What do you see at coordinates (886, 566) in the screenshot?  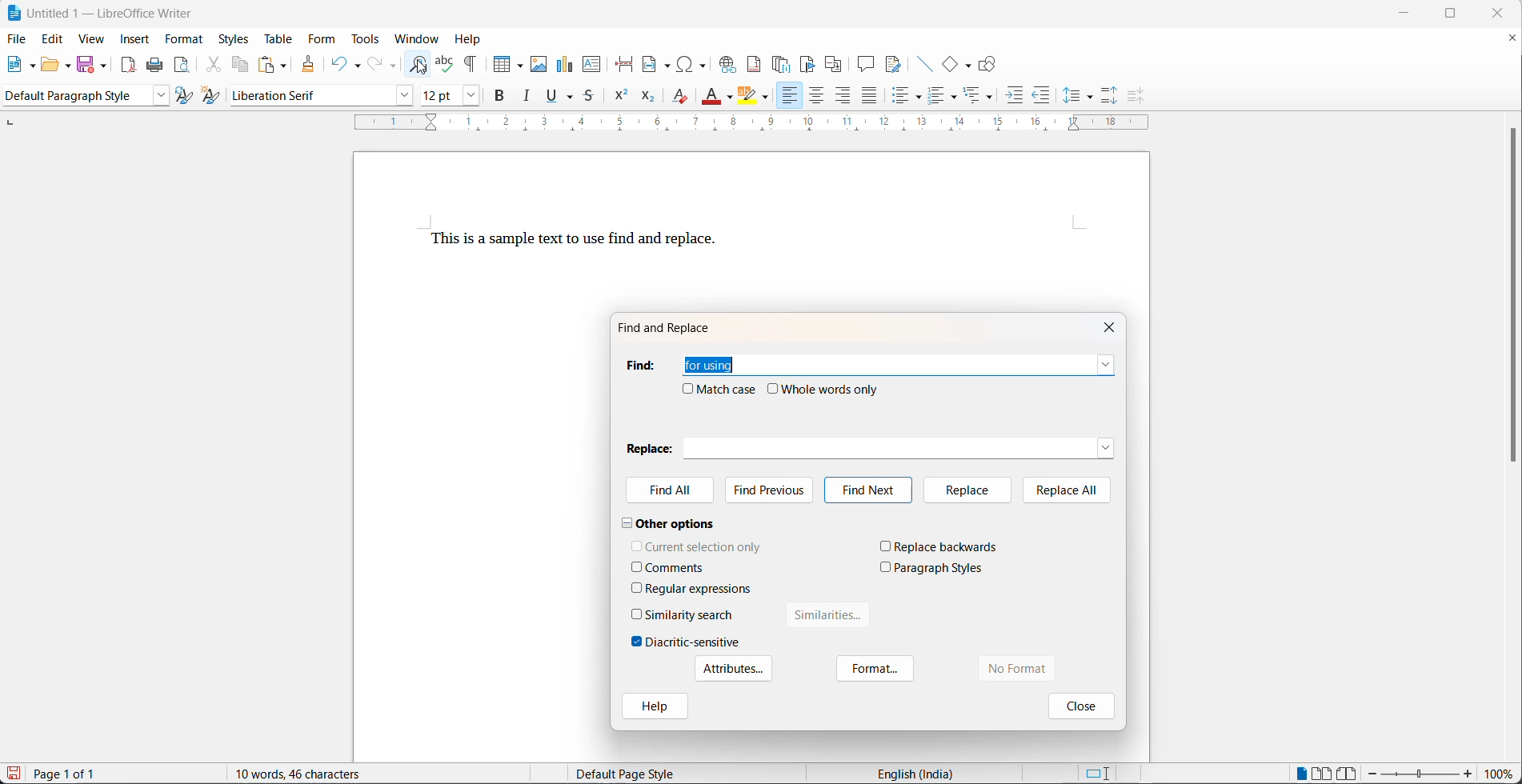 I see `checkbox` at bounding box center [886, 566].